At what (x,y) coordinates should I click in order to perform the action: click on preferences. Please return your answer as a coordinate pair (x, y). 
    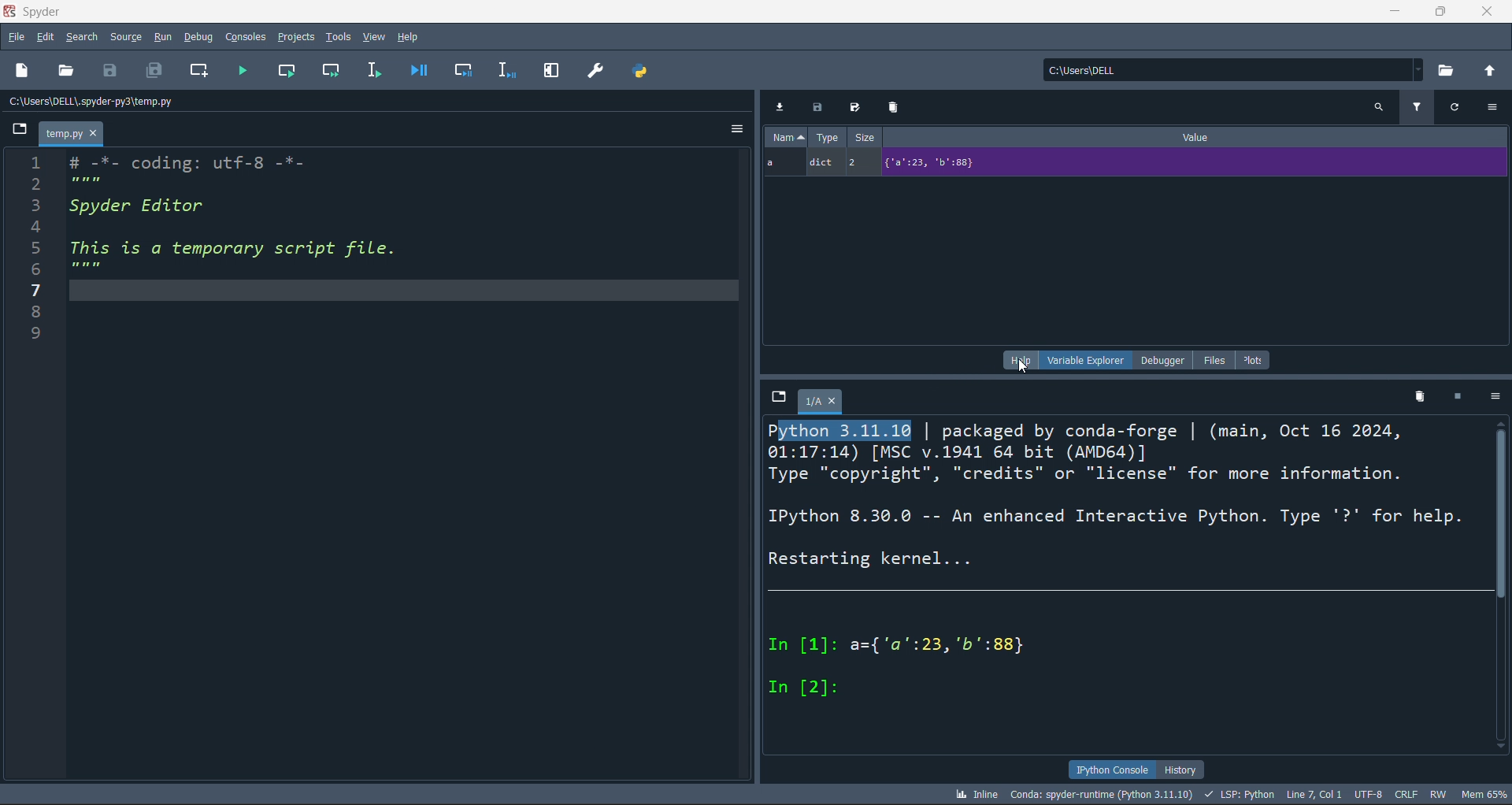
    Looking at the image, I should click on (592, 69).